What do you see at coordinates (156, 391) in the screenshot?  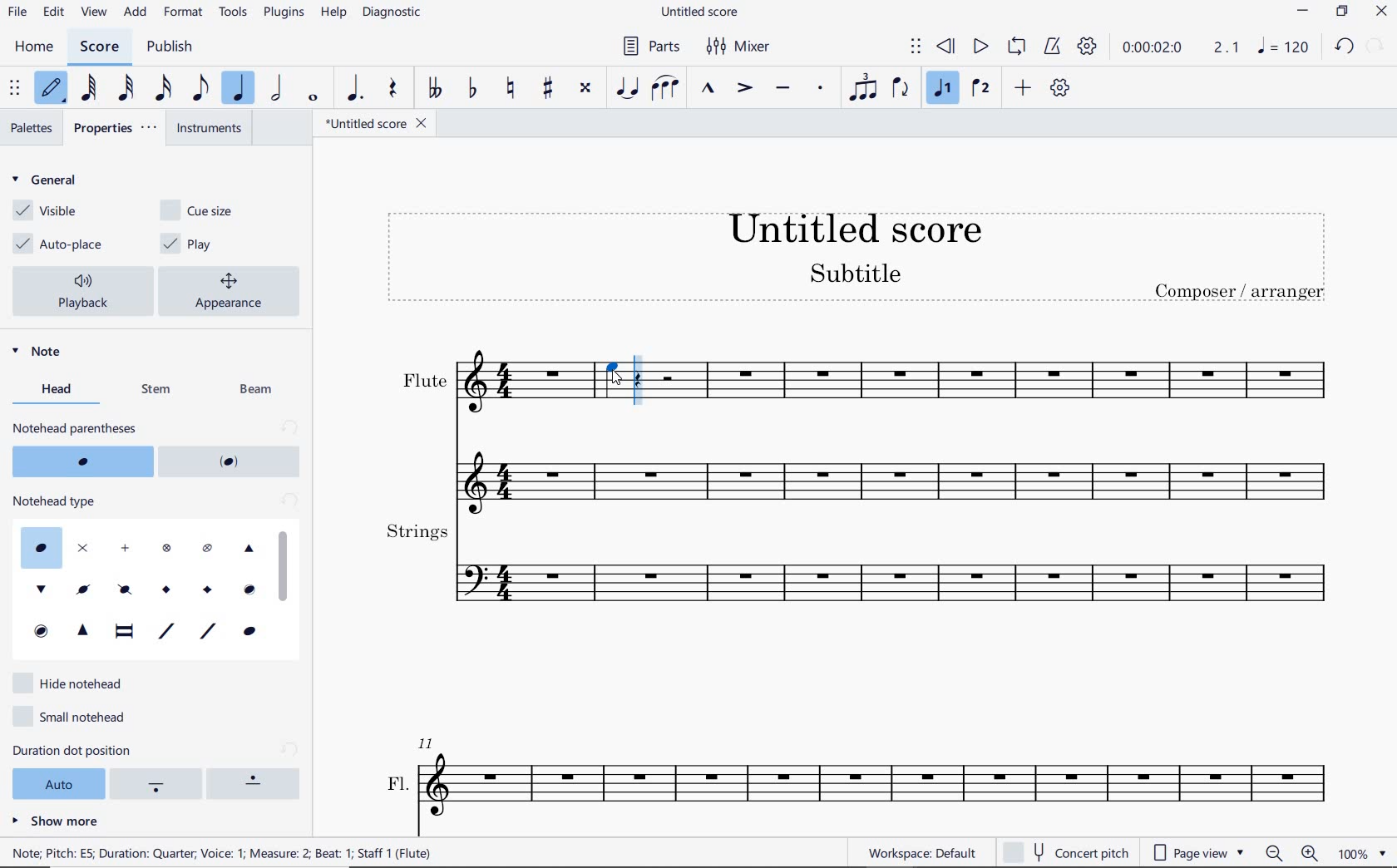 I see `STEM` at bounding box center [156, 391].